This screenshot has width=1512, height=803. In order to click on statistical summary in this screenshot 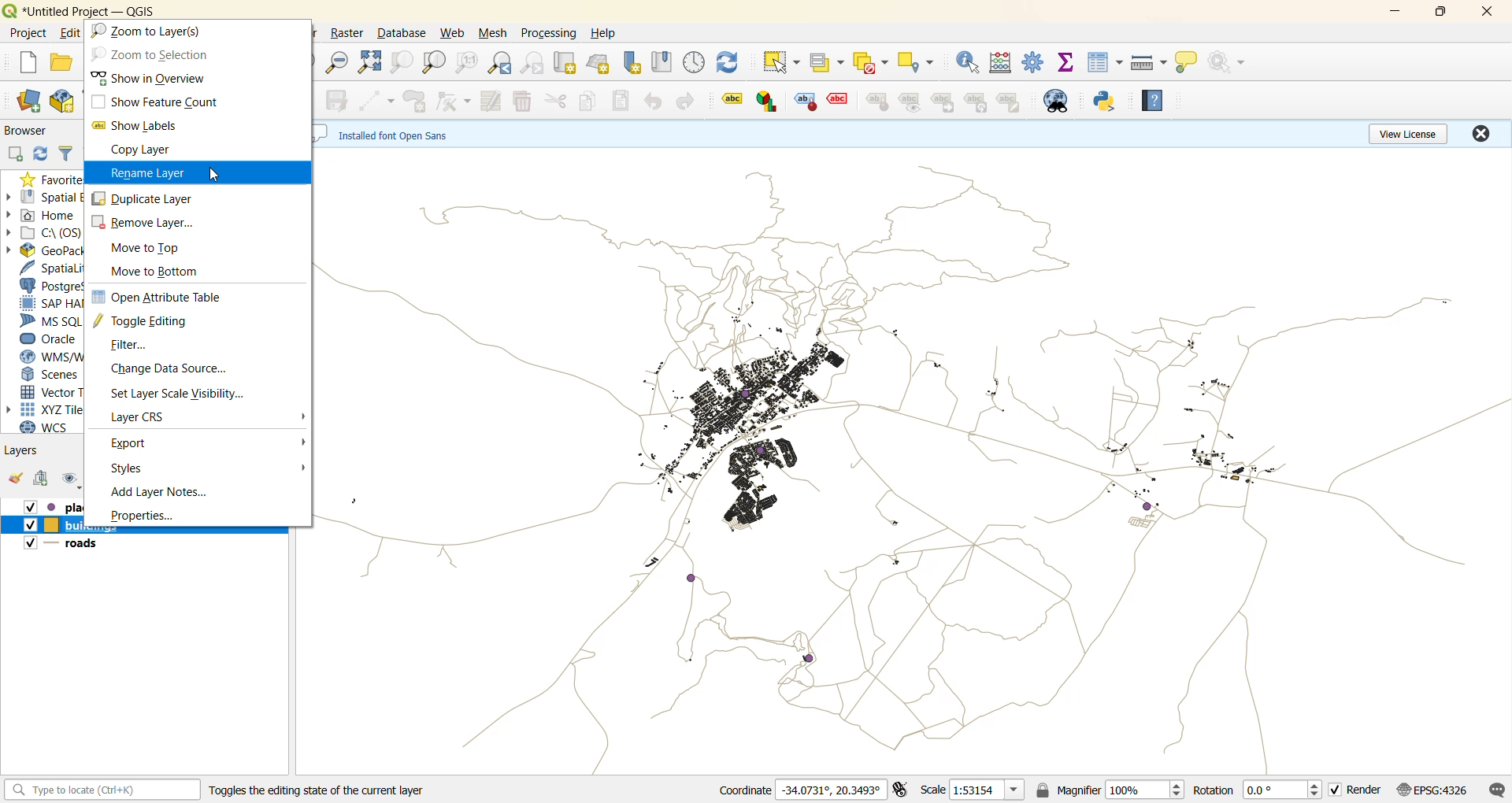, I will do `click(1067, 64)`.